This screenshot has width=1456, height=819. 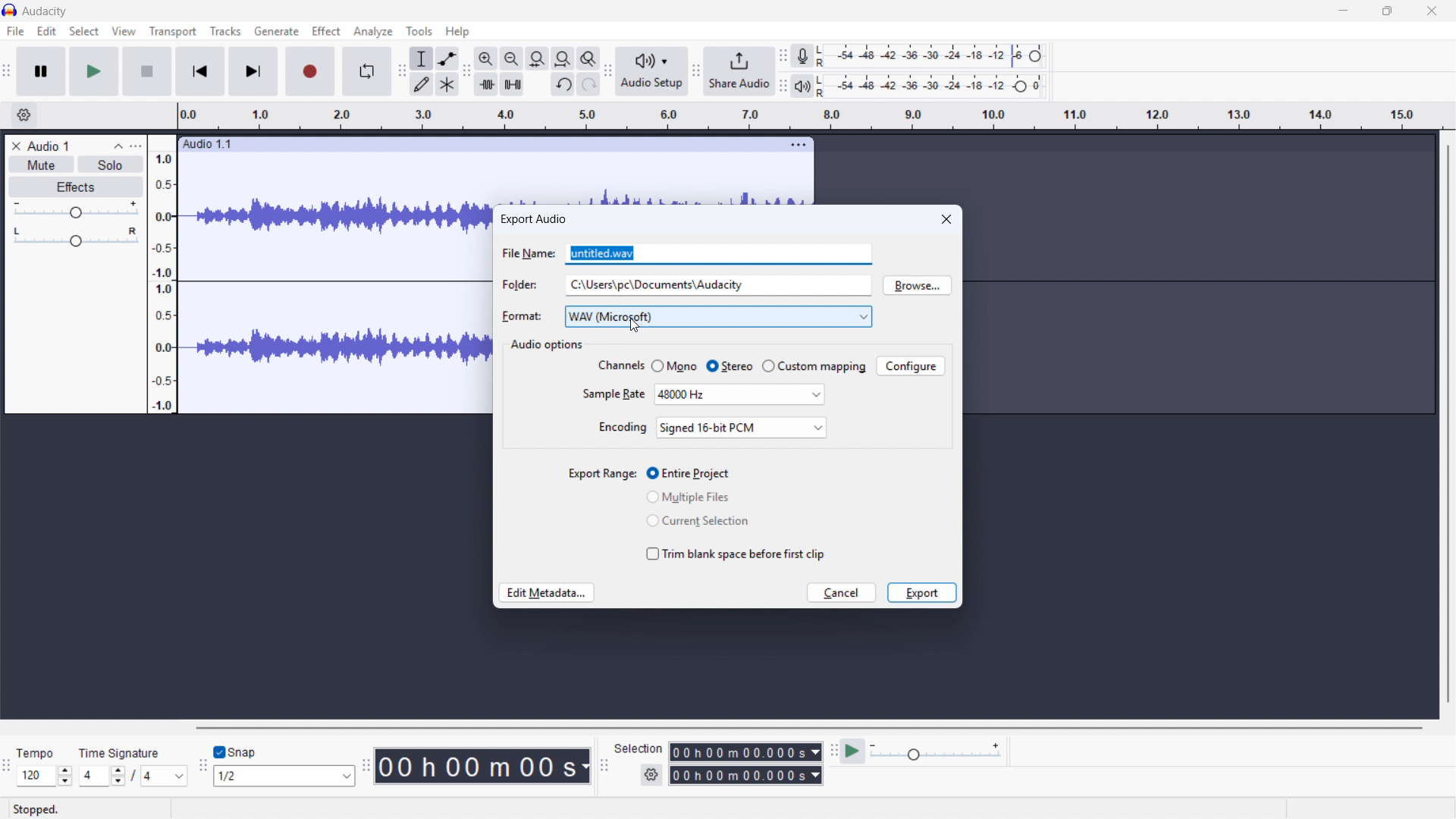 I want to click on Folder location , so click(x=719, y=285).